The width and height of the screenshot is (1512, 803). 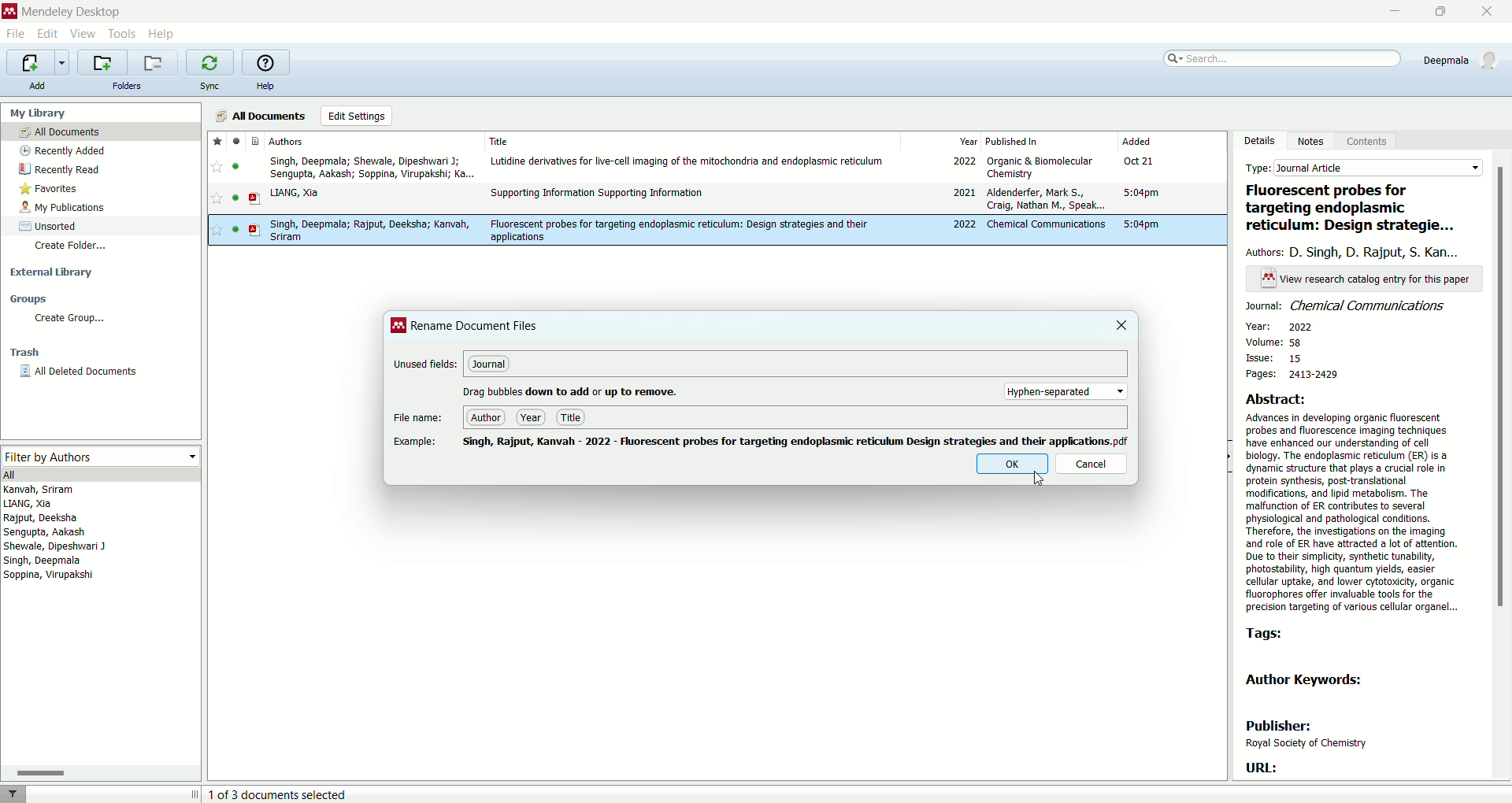 I want to click on my publications, so click(x=65, y=209).